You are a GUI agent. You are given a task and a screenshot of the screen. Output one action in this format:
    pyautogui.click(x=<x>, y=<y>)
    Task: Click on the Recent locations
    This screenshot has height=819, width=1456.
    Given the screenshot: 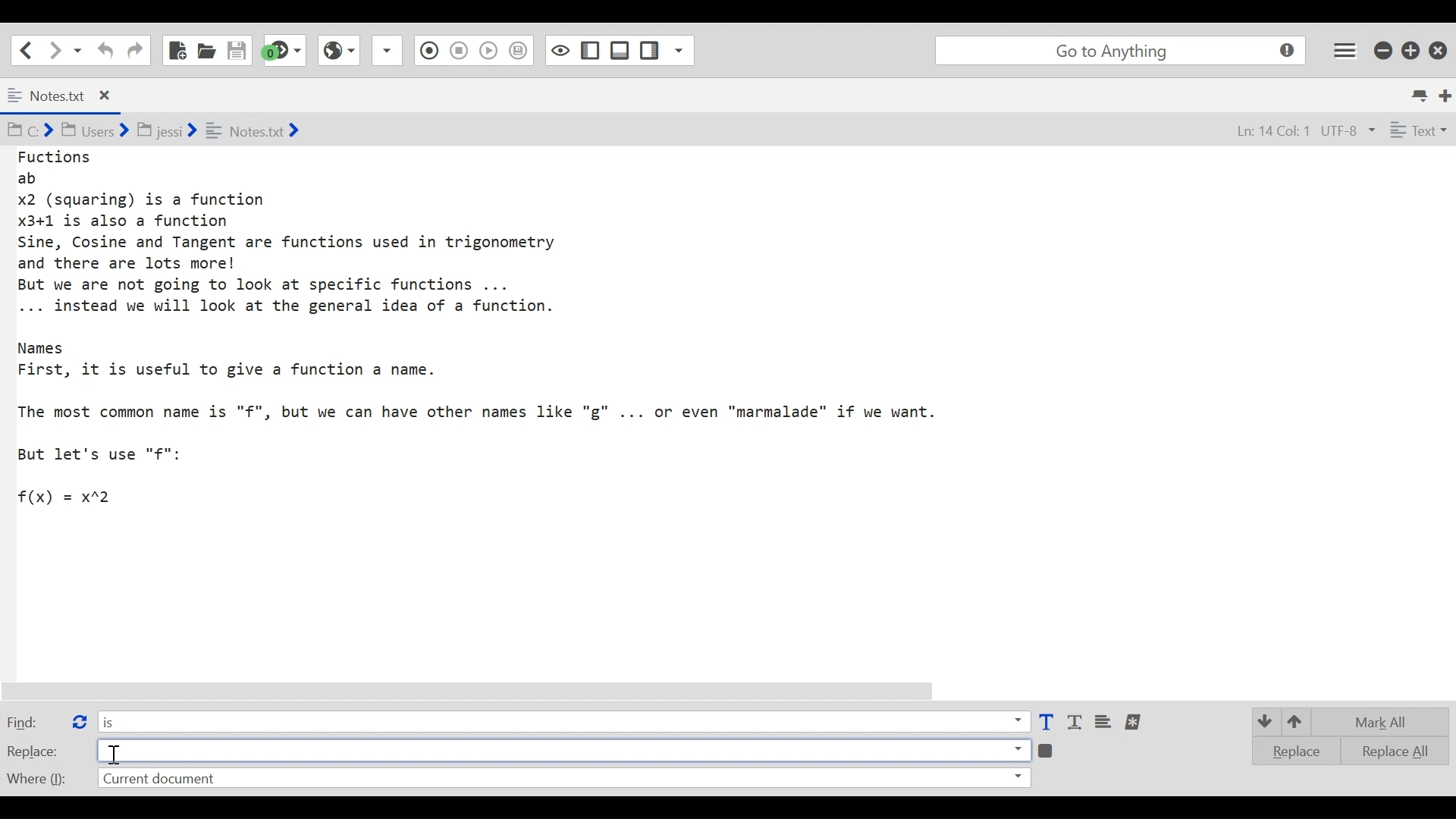 What is the action you would take?
    pyautogui.click(x=78, y=49)
    